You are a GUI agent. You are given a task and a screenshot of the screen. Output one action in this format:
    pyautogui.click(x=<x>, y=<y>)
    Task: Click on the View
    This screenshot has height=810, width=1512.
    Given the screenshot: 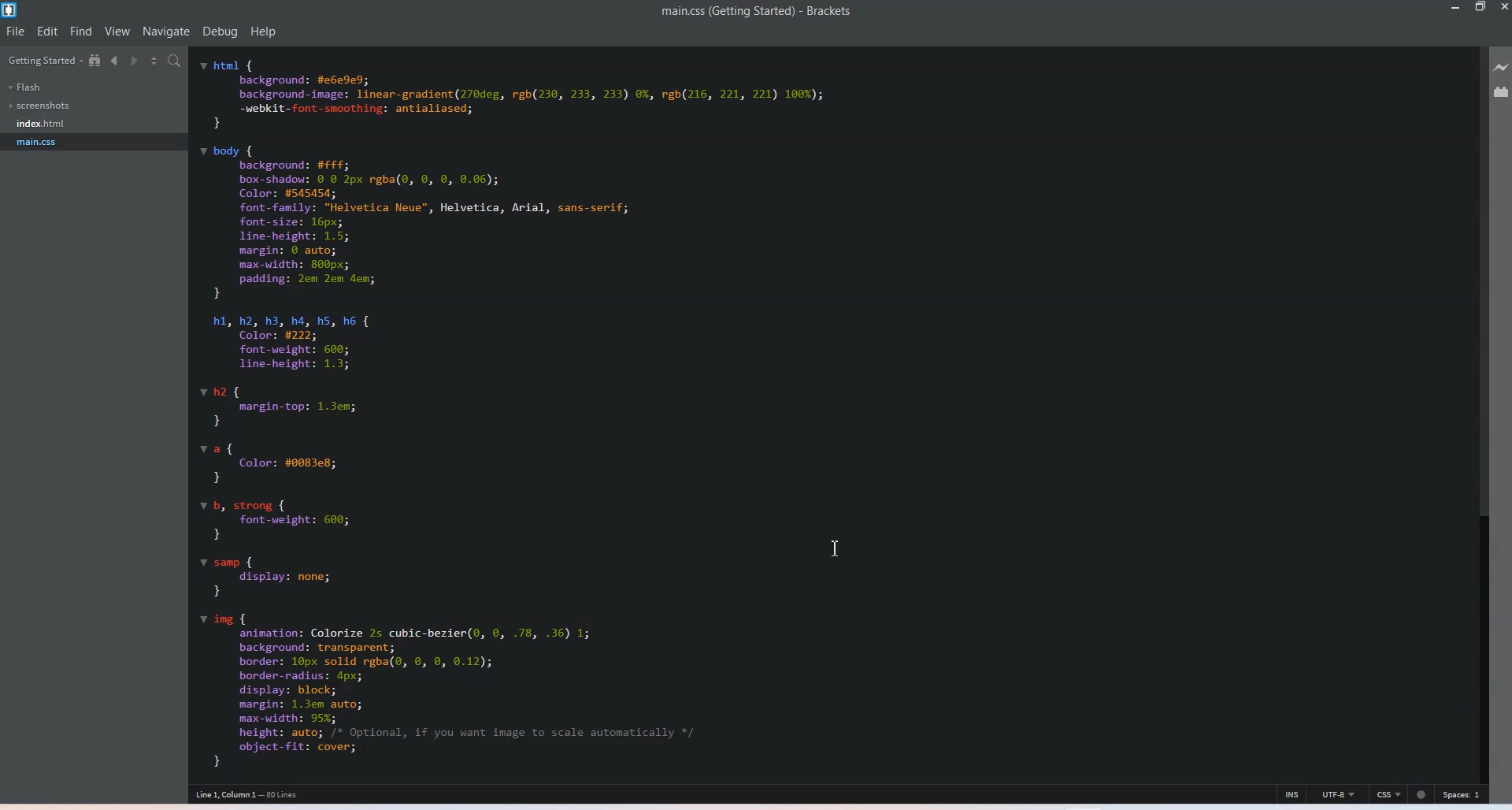 What is the action you would take?
    pyautogui.click(x=119, y=31)
    